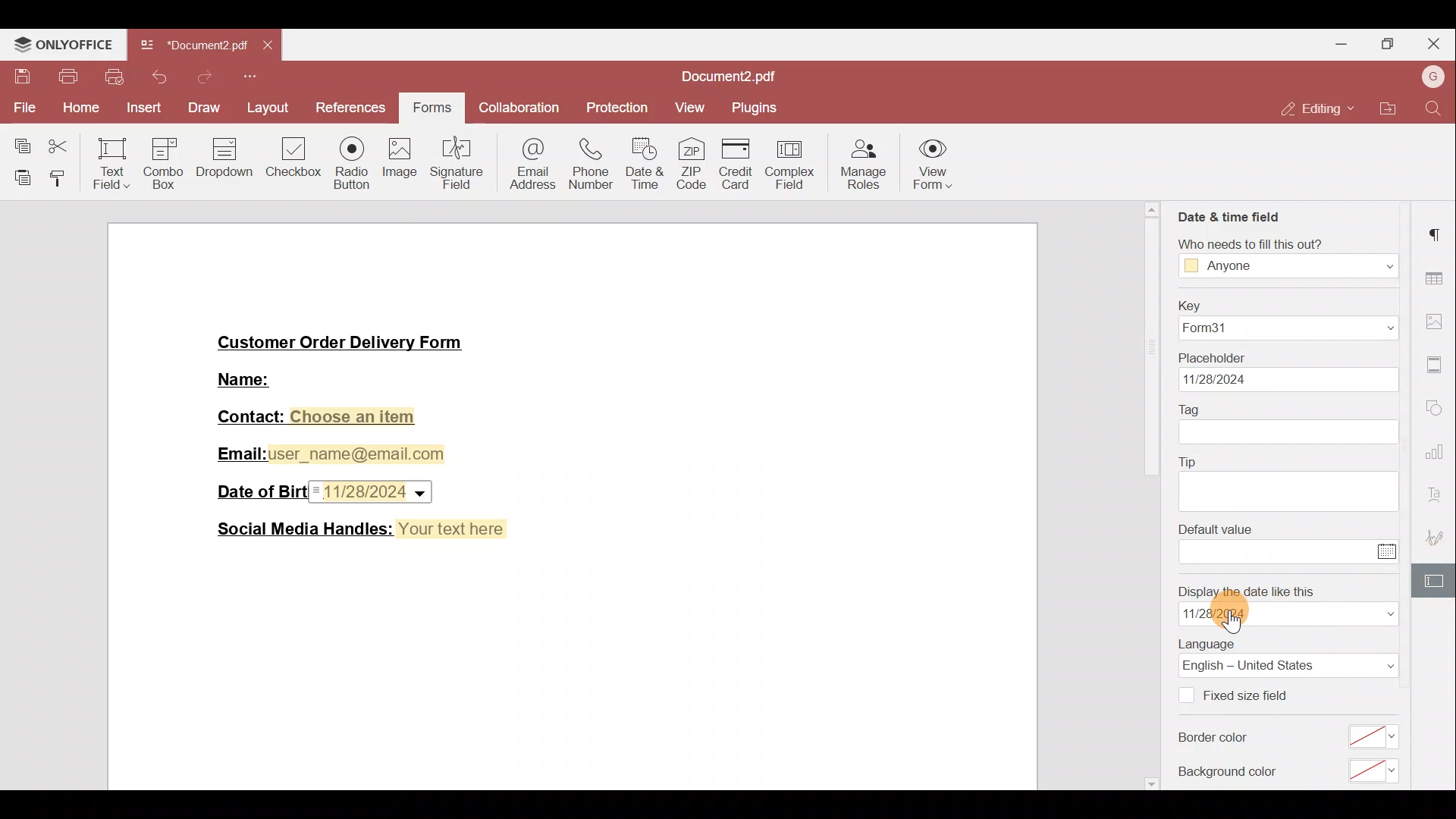  What do you see at coordinates (162, 161) in the screenshot?
I see `Combo box` at bounding box center [162, 161].